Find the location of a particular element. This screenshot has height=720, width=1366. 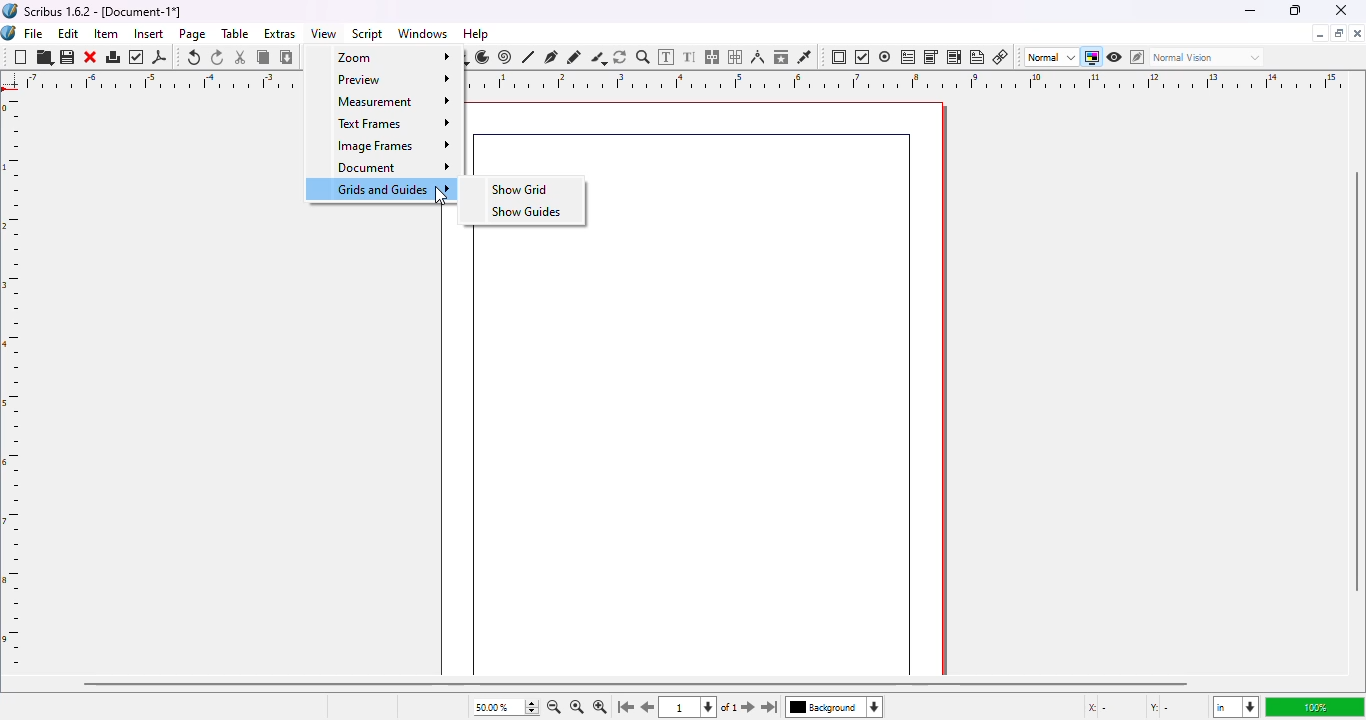

insert is located at coordinates (149, 33).